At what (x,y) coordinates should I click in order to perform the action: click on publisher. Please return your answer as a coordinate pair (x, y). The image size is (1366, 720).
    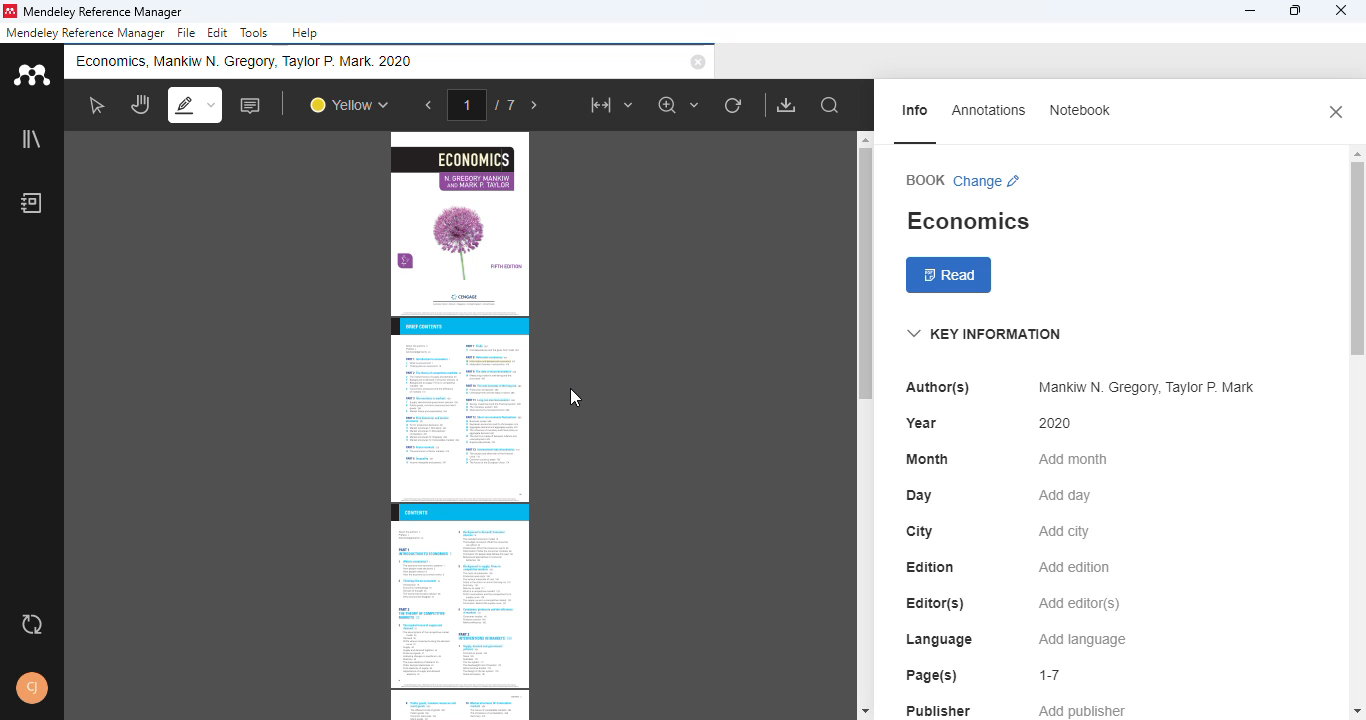
    Looking at the image, I should click on (939, 709).